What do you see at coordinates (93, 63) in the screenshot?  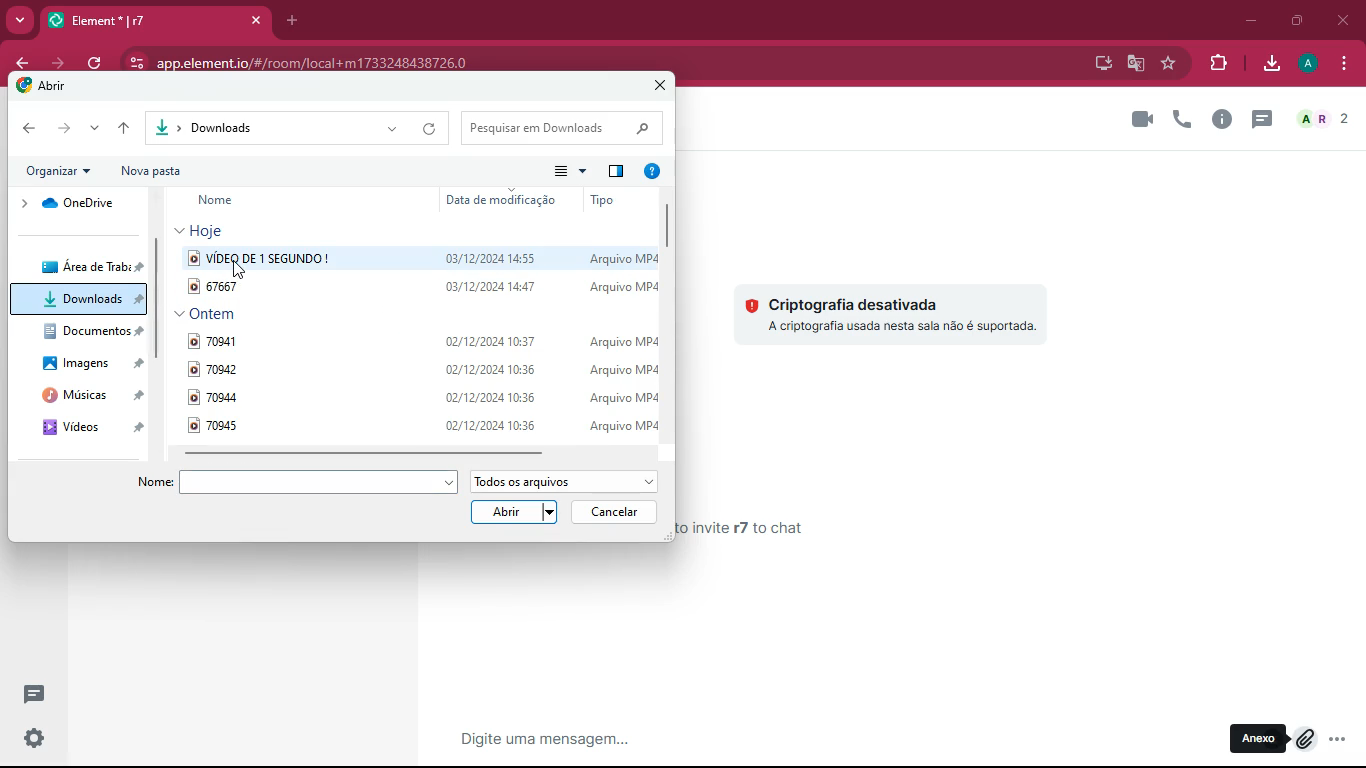 I see `refresh` at bounding box center [93, 63].